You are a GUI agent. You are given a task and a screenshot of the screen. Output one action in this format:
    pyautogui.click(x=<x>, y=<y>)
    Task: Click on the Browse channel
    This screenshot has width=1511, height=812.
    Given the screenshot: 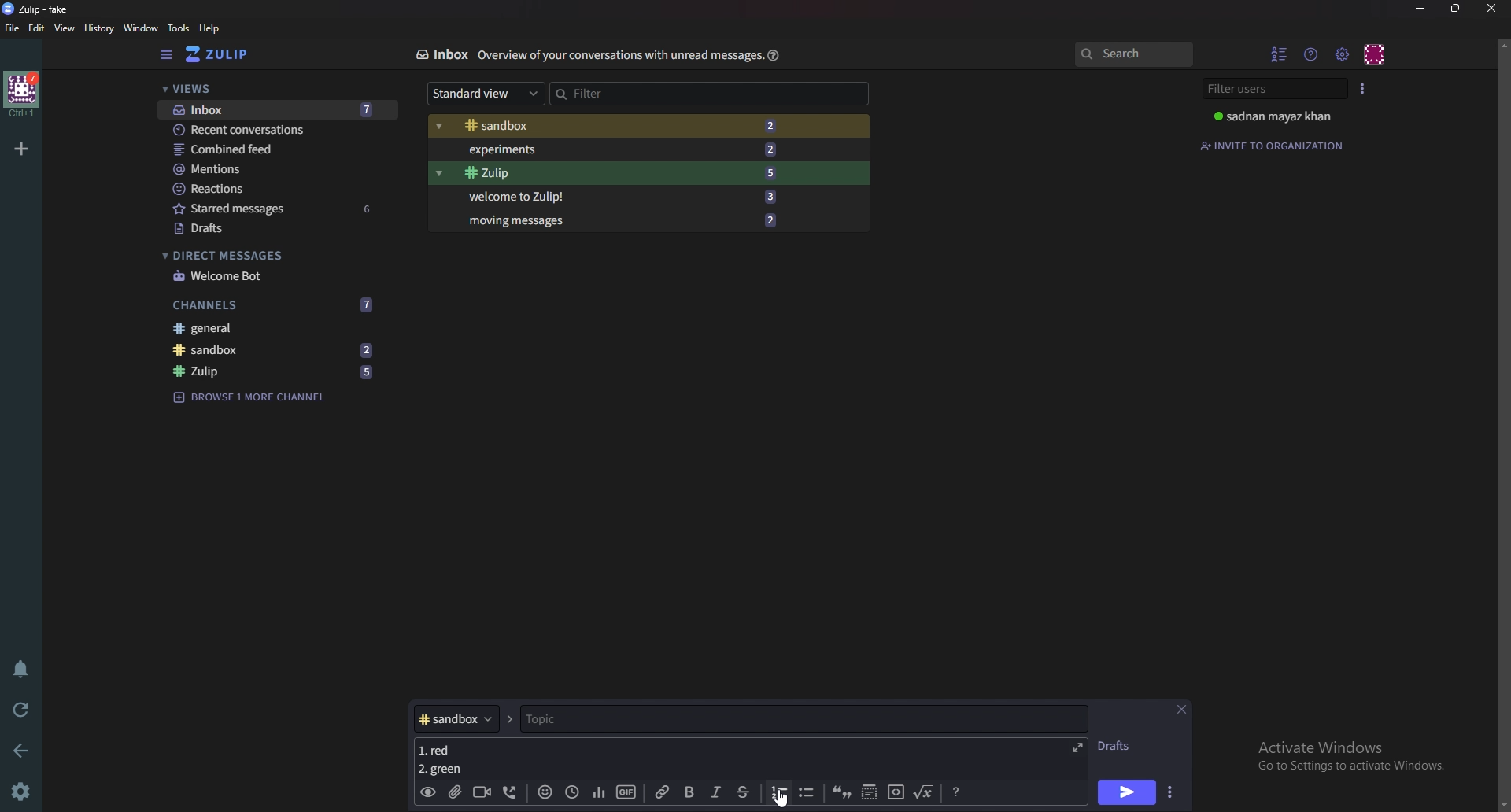 What is the action you would take?
    pyautogui.click(x=258, y=396)
    